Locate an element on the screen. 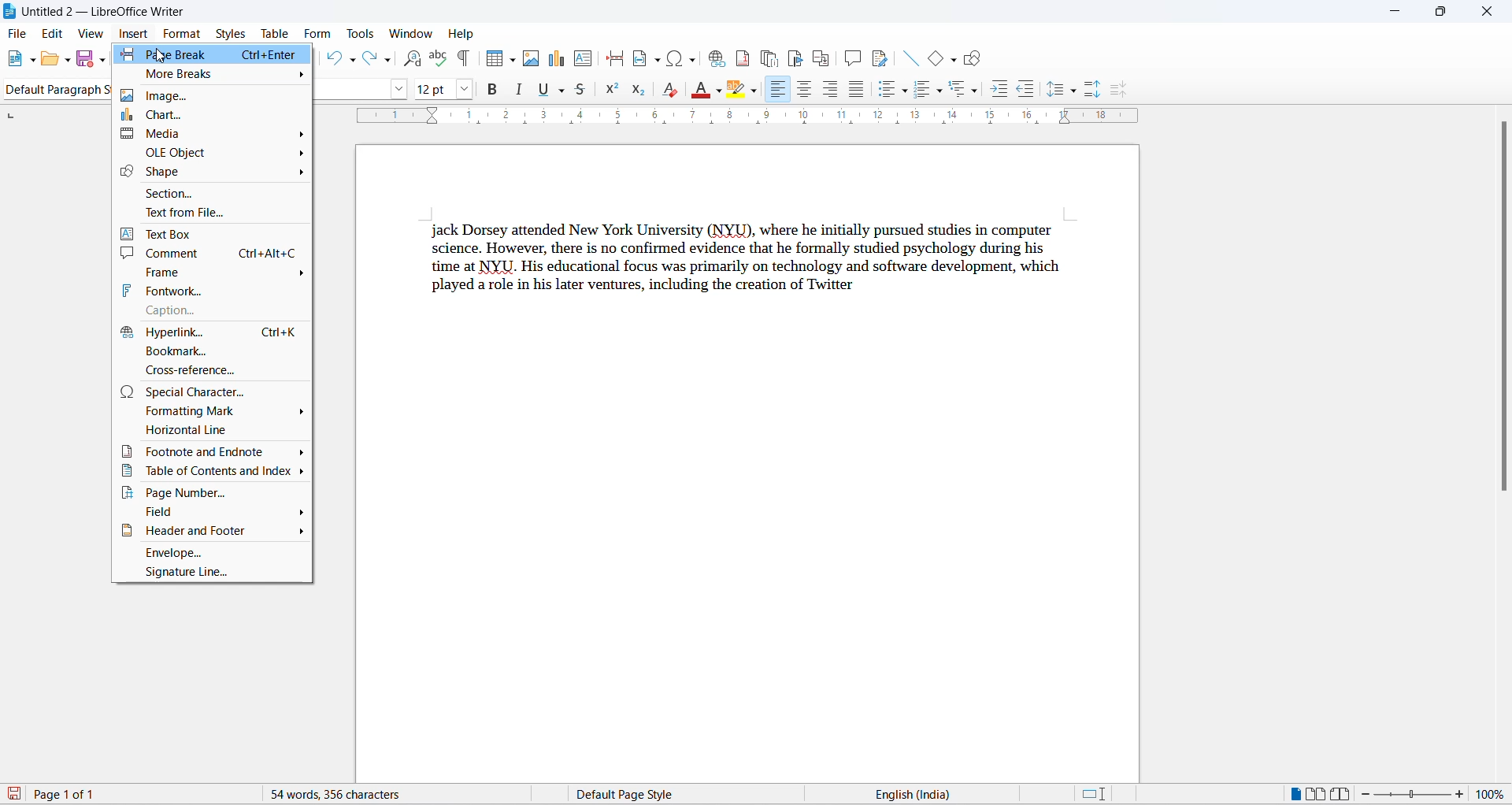 Image resolution: width=1512 pixels, height=805 pixels. insert footnote is located at coordinates (739, 58).